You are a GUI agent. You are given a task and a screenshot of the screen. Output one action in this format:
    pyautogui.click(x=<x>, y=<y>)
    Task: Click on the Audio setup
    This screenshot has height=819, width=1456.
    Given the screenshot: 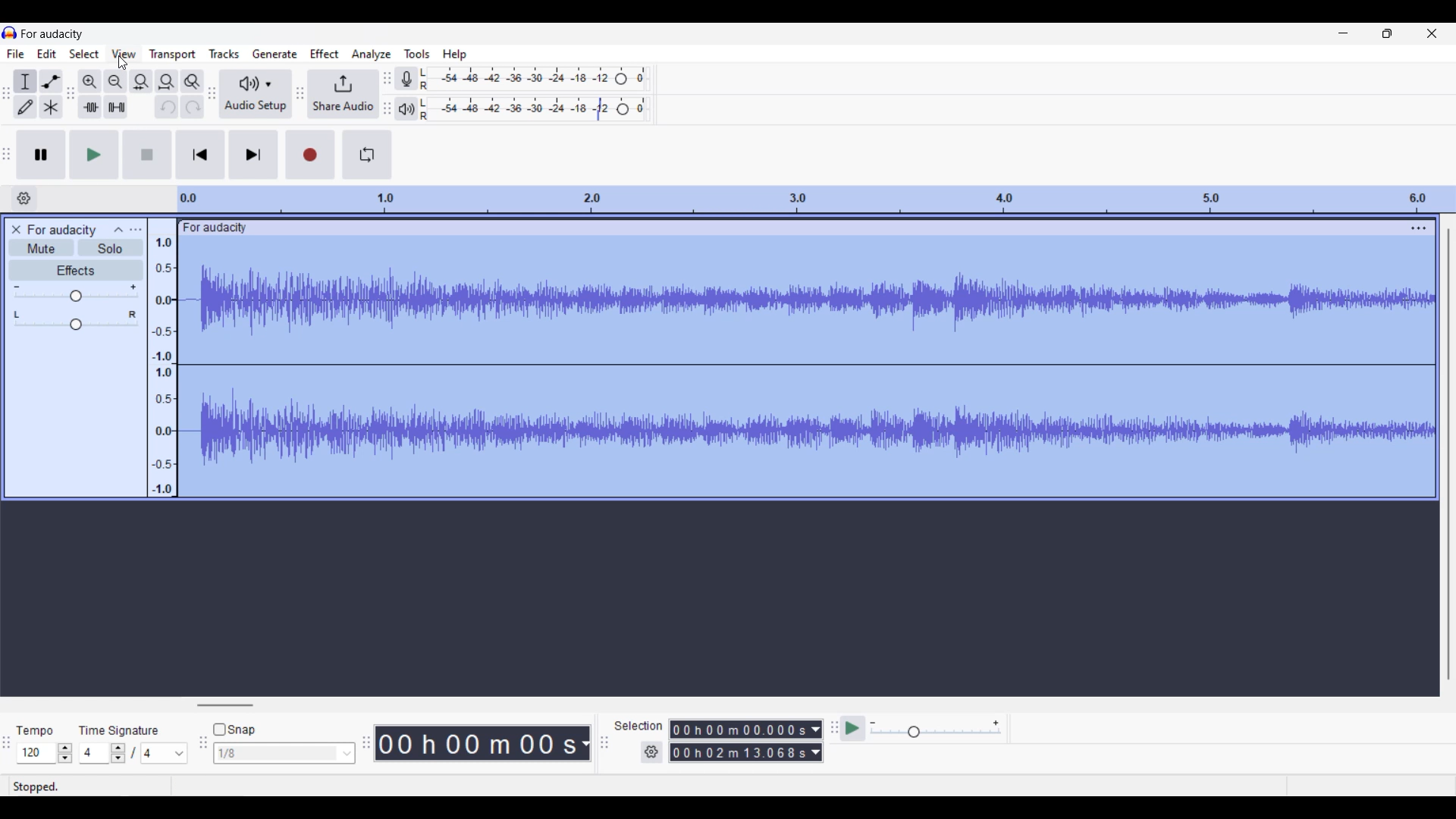 What is the action you would take?
    pyautogui.click(x=256, y=95)
    